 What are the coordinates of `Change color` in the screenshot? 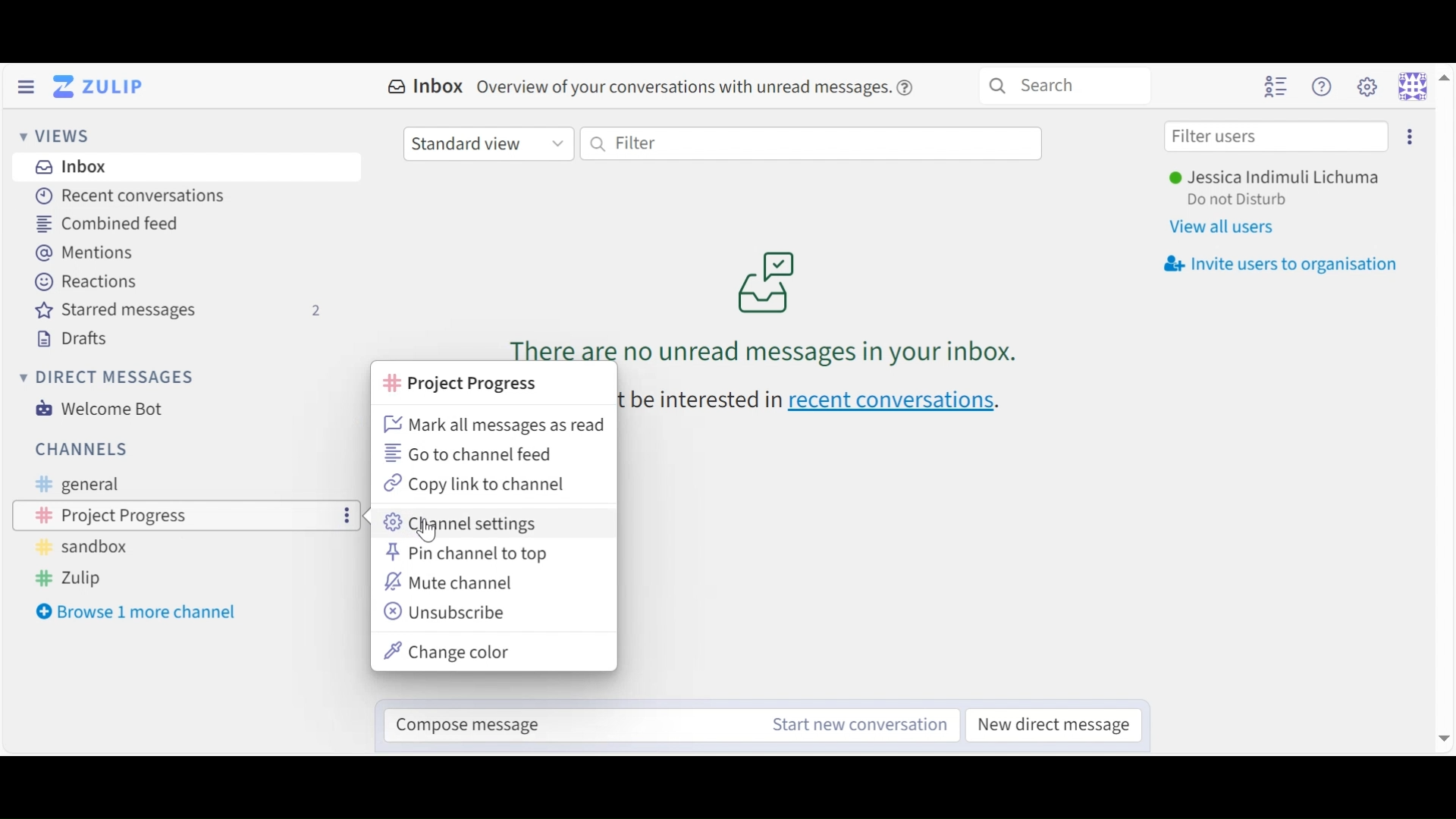 It's located at (447, 651).